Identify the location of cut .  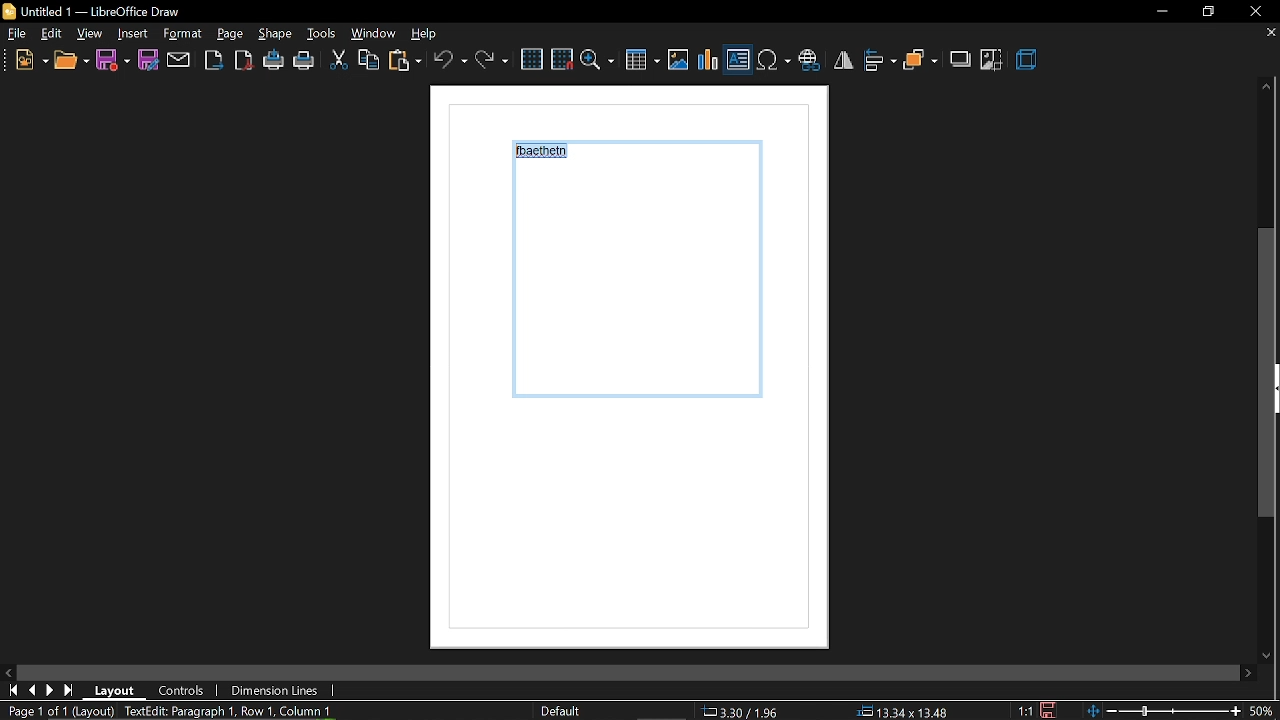
(338, 62).